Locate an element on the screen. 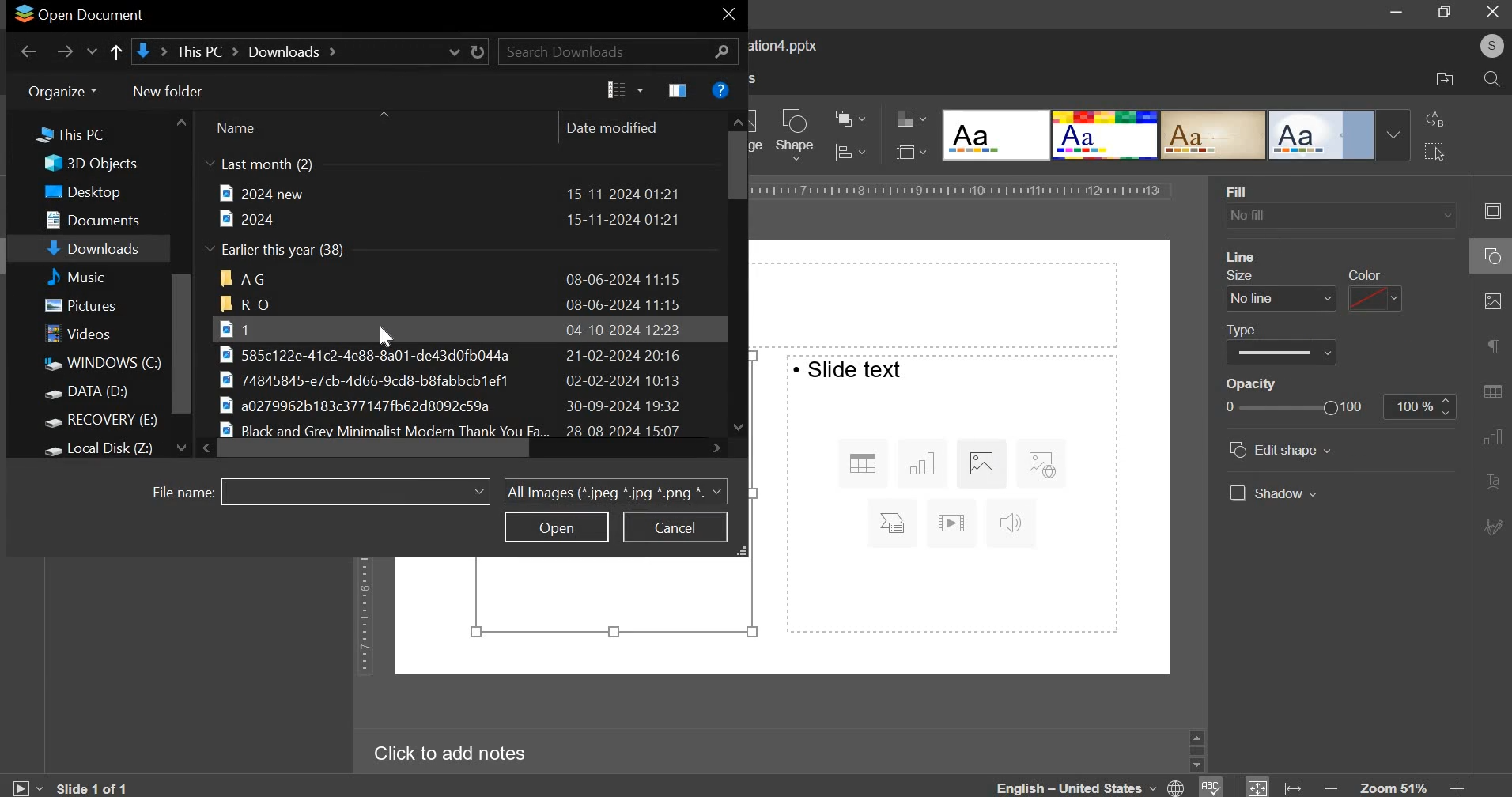  Name is located at coordinates (235, 127).